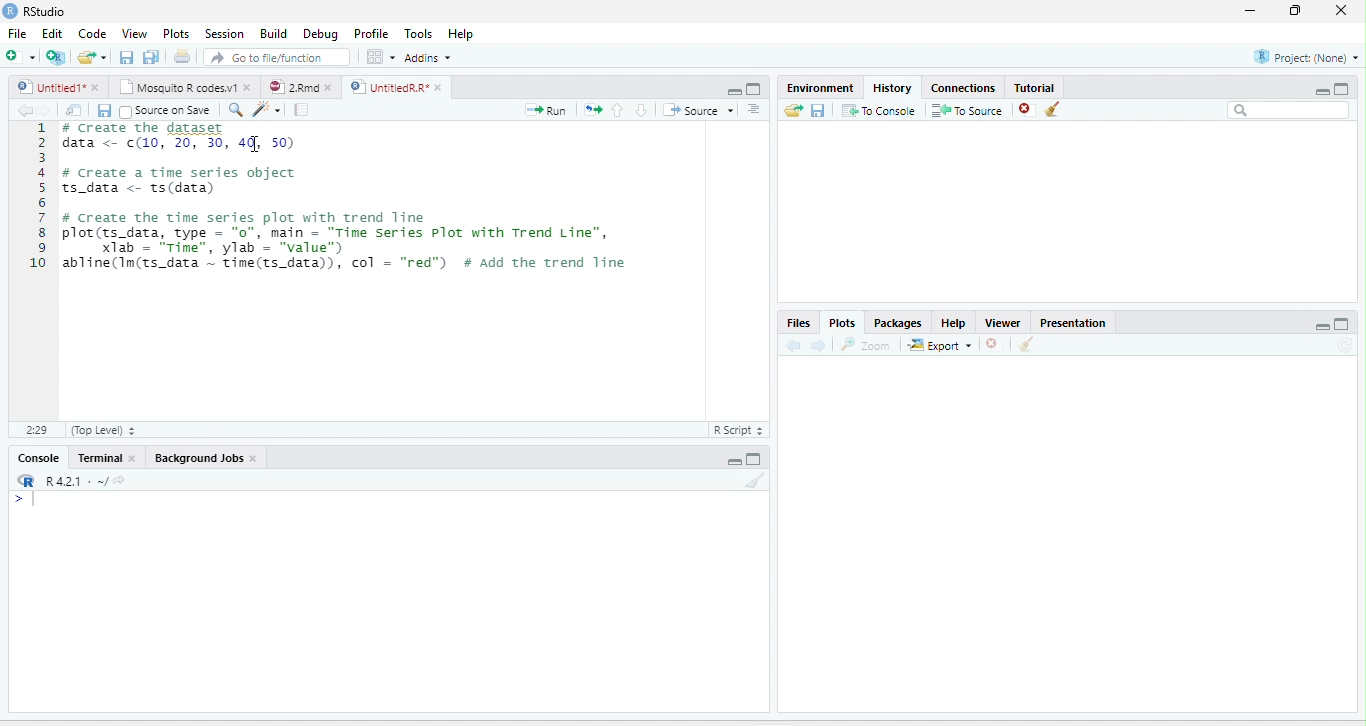  I want to click on Previous plot, so click(793, 344).